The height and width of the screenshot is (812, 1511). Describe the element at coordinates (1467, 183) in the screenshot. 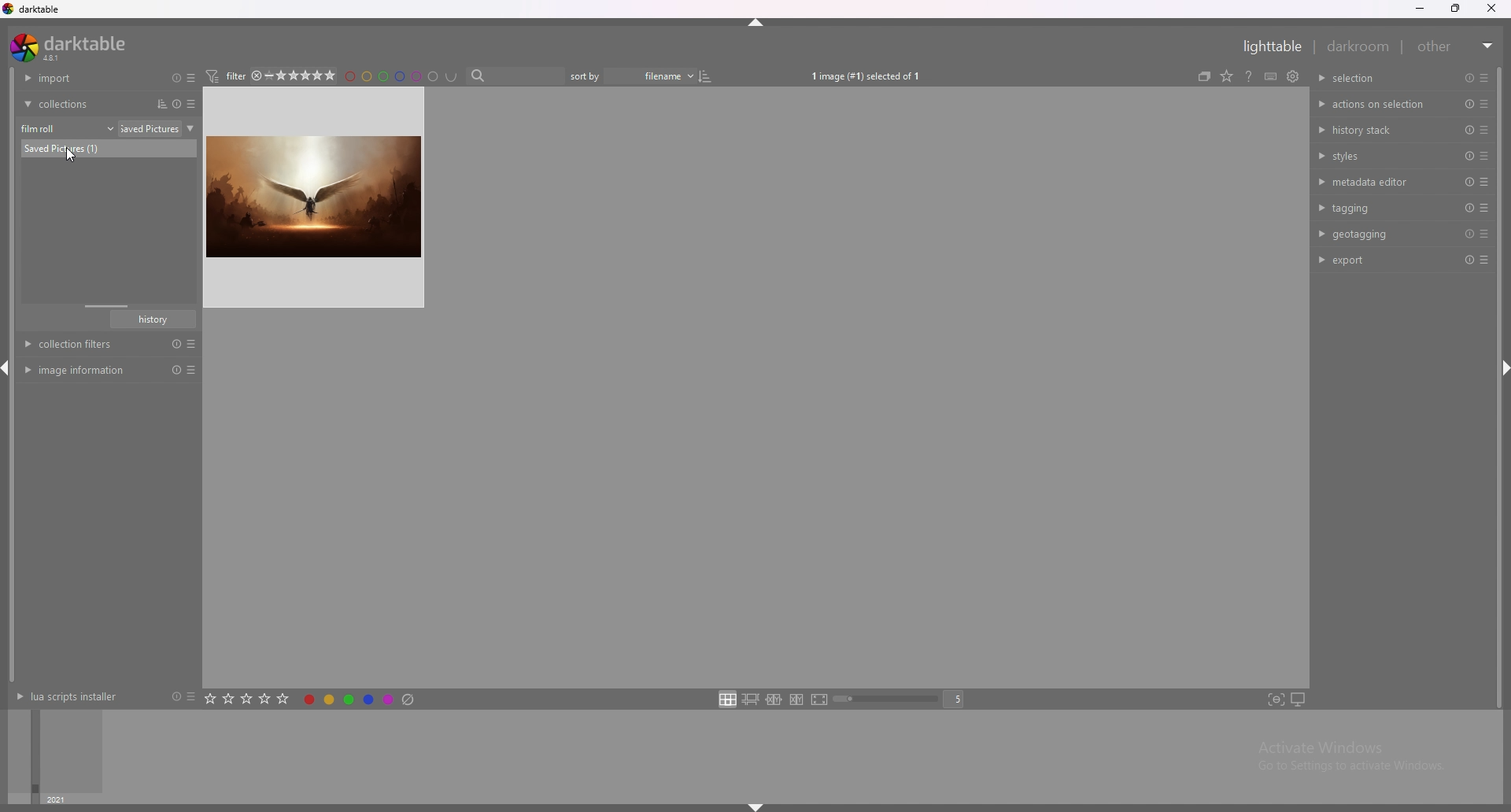

I see `reset` at that location.